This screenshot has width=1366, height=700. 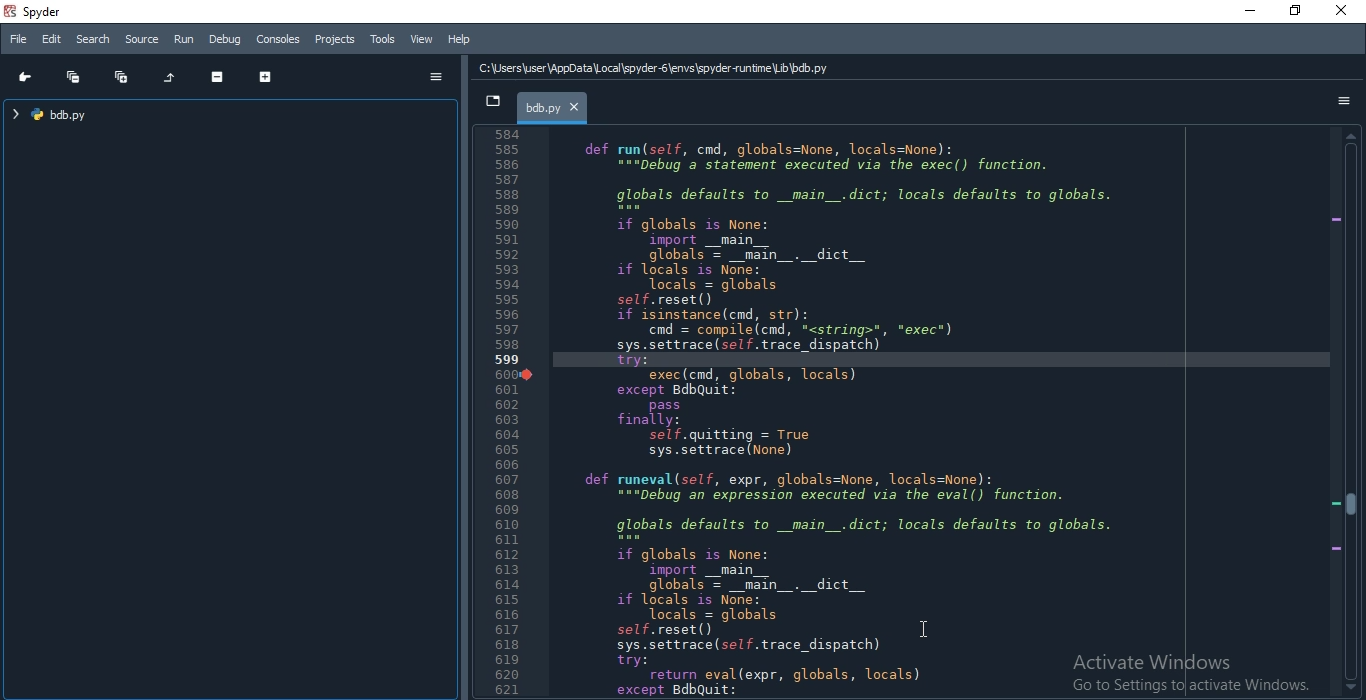 I want to click on Expand all, so click(x=122, y=76).